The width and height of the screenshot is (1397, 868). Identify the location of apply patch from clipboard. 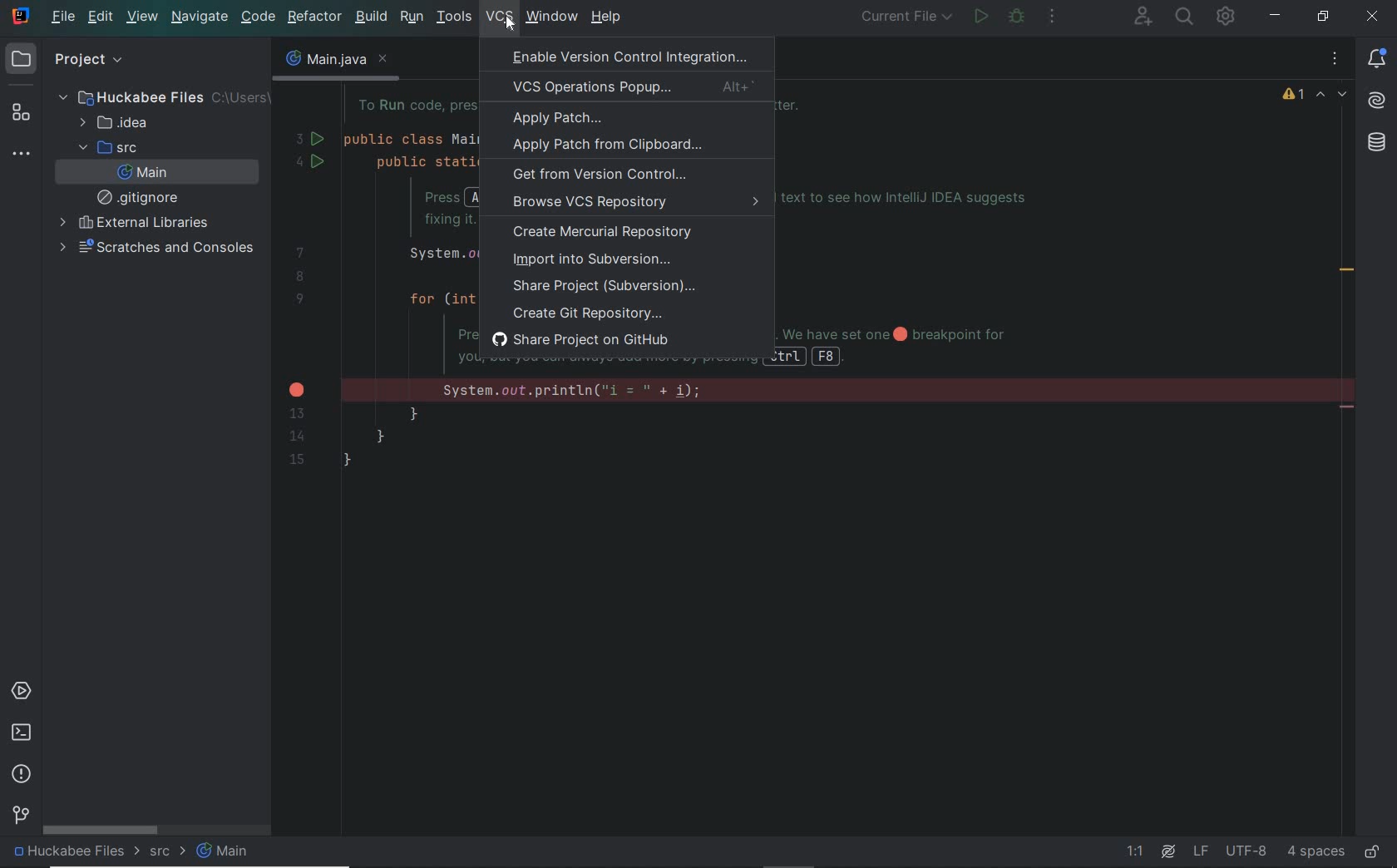
(607, 145).